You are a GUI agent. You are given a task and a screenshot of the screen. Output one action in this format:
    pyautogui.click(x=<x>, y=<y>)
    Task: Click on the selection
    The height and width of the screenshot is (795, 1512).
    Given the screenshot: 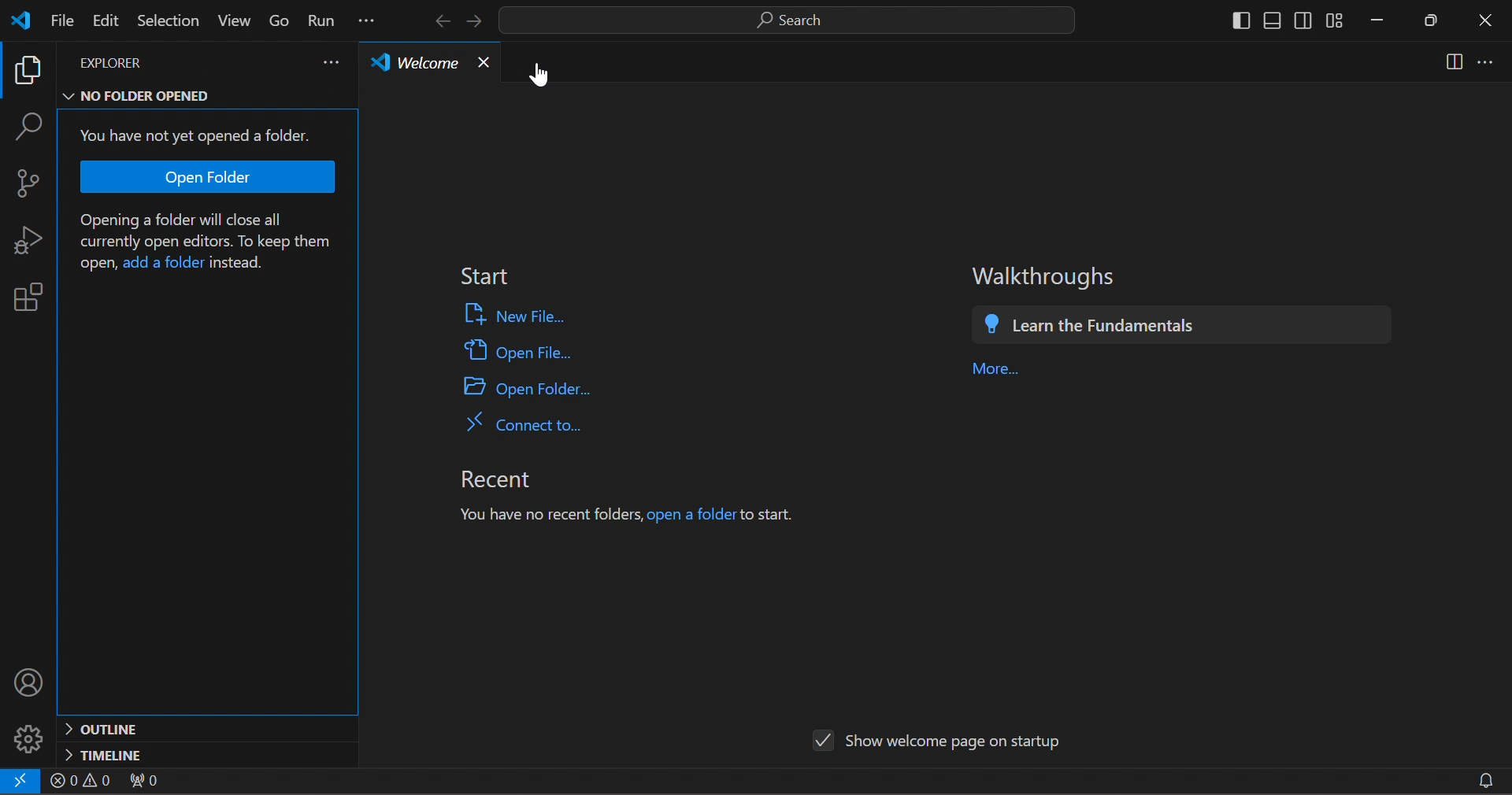 What is the action you would take?
    pyautogui.click(x=168, y=22)
    